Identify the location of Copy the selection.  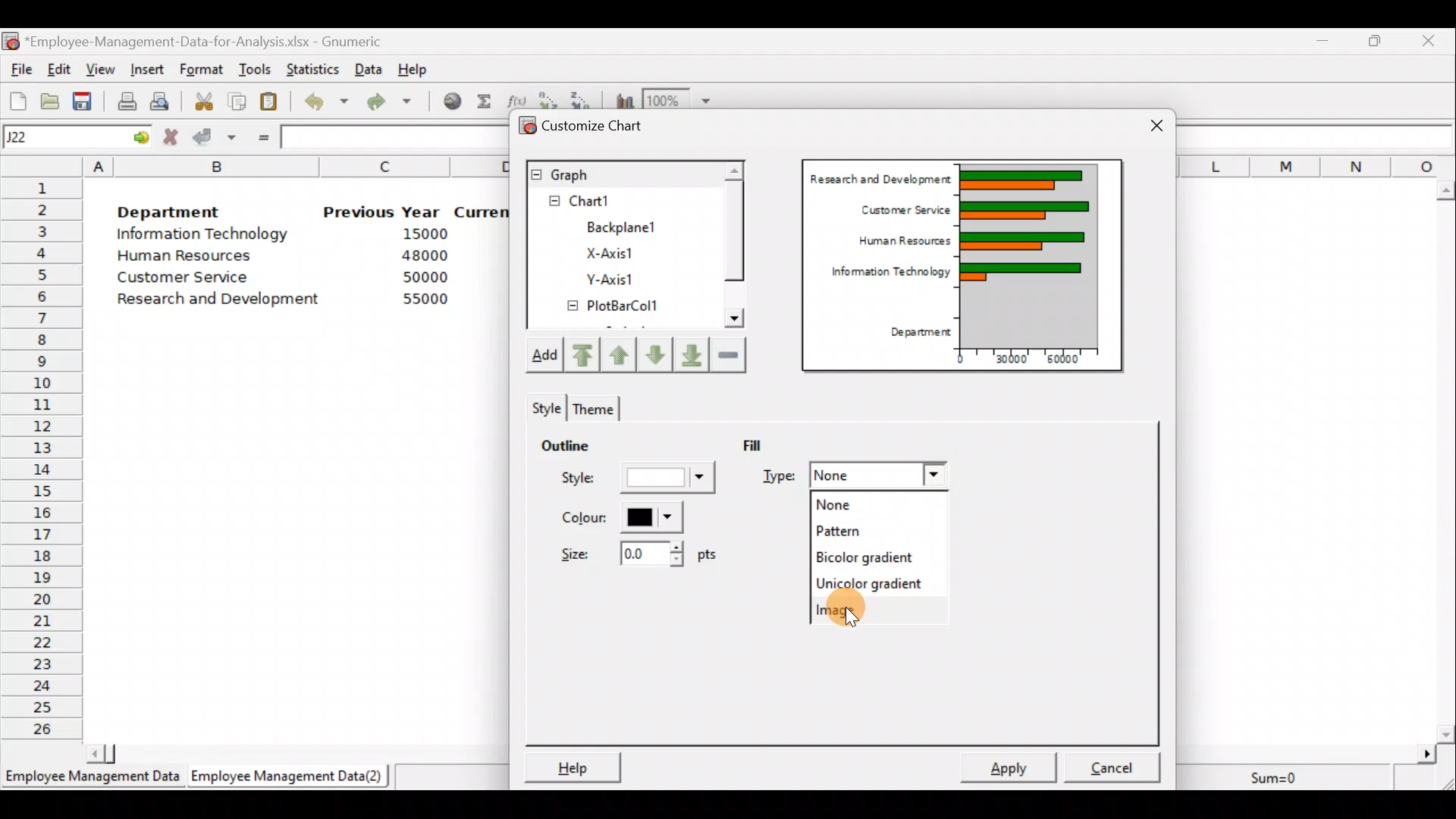
(241, 102).